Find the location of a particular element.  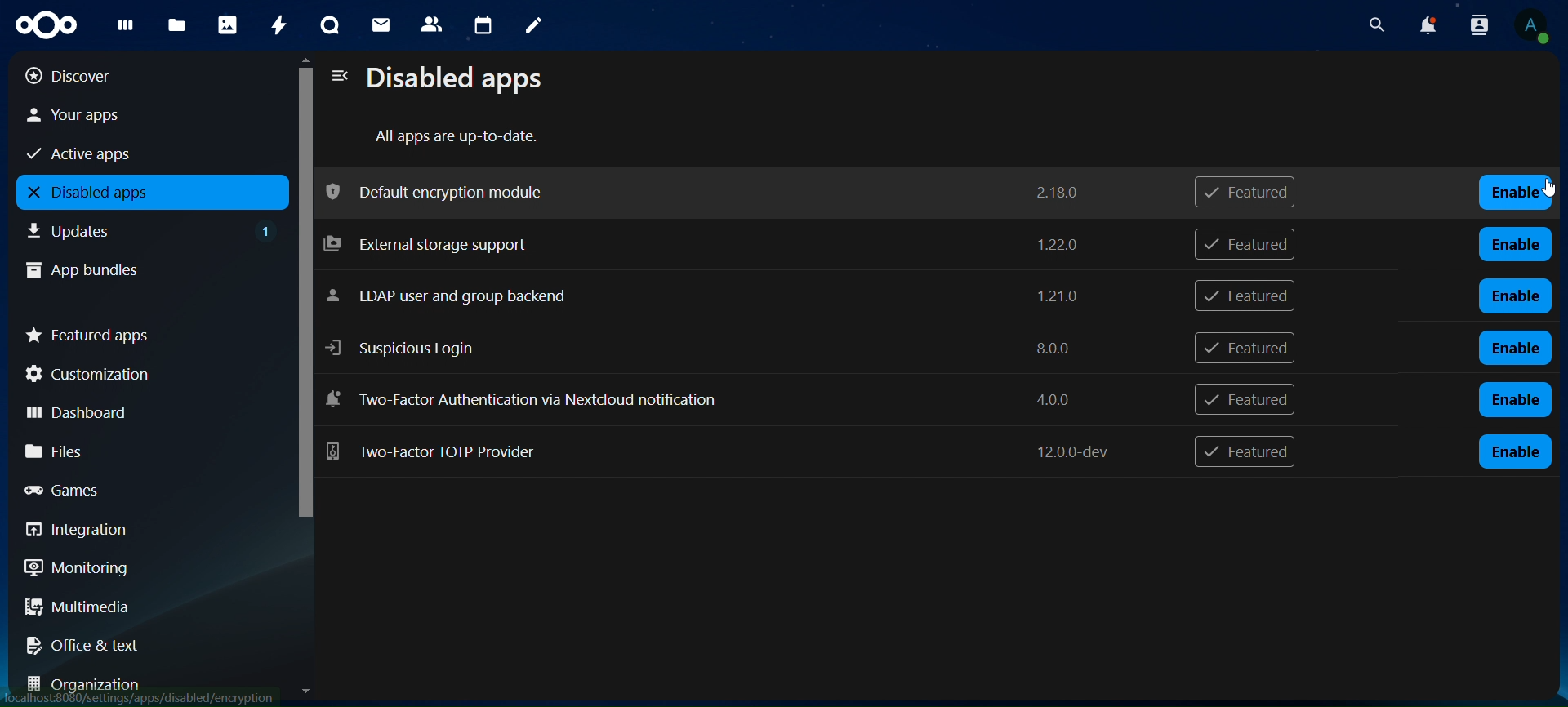

featured is located at coordinates (1244, 348).